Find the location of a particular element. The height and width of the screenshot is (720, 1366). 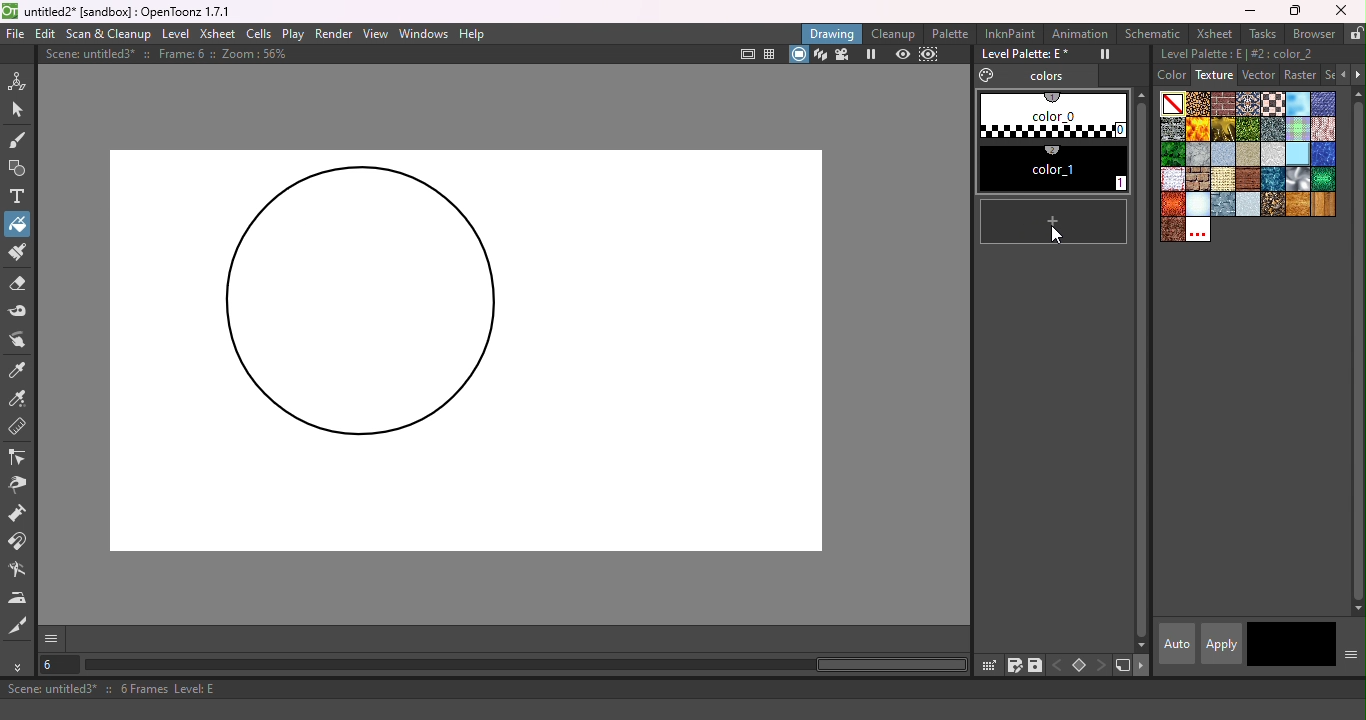

camera stand view is located at coordinates (798, 54).